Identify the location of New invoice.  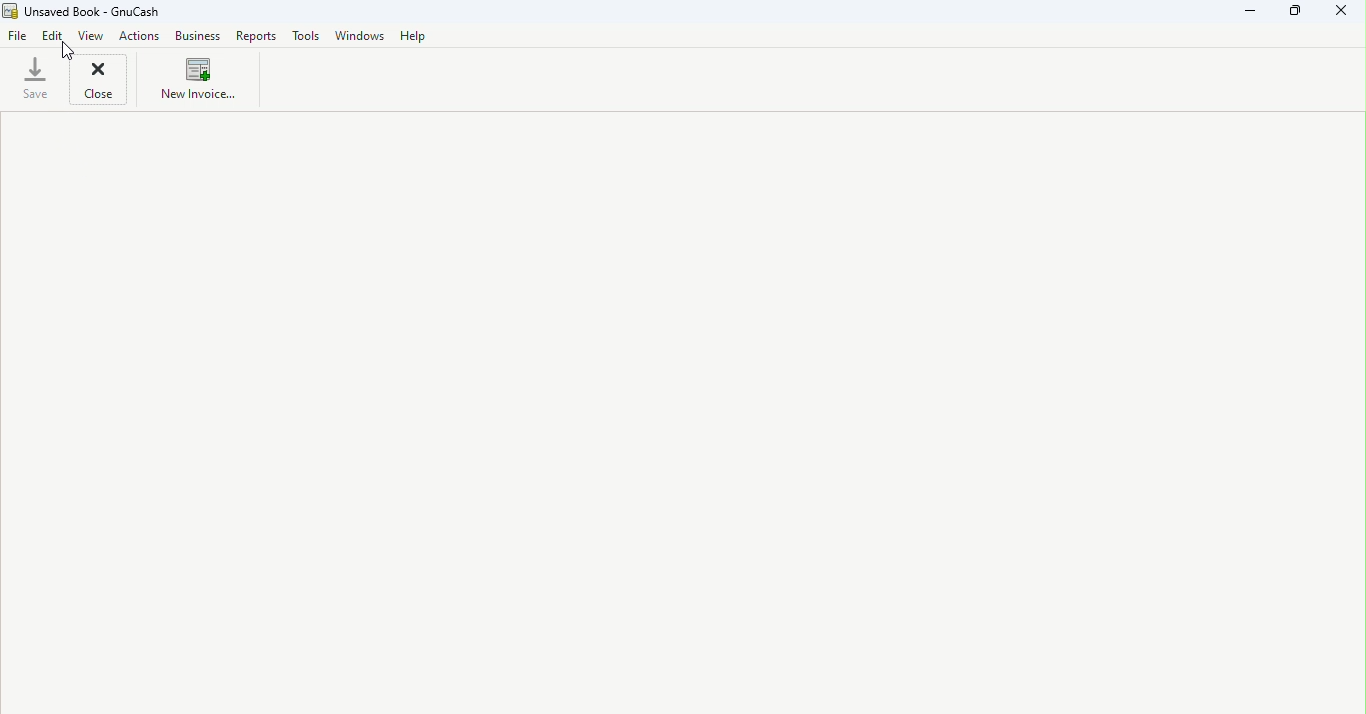
(202, 82).